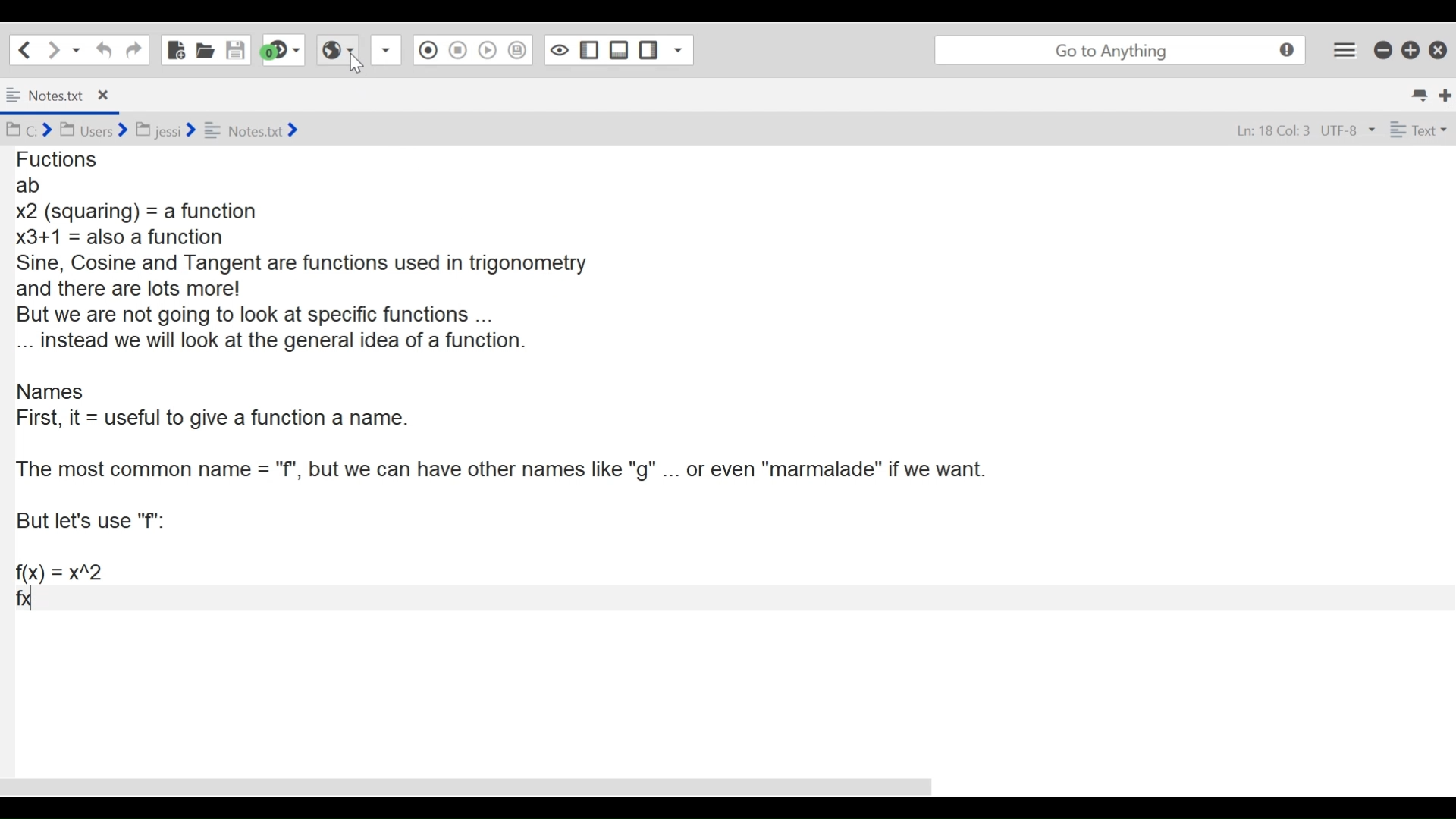 This screenshot has height=819, width=1456. I want to click on Open file, so click(206, 49).